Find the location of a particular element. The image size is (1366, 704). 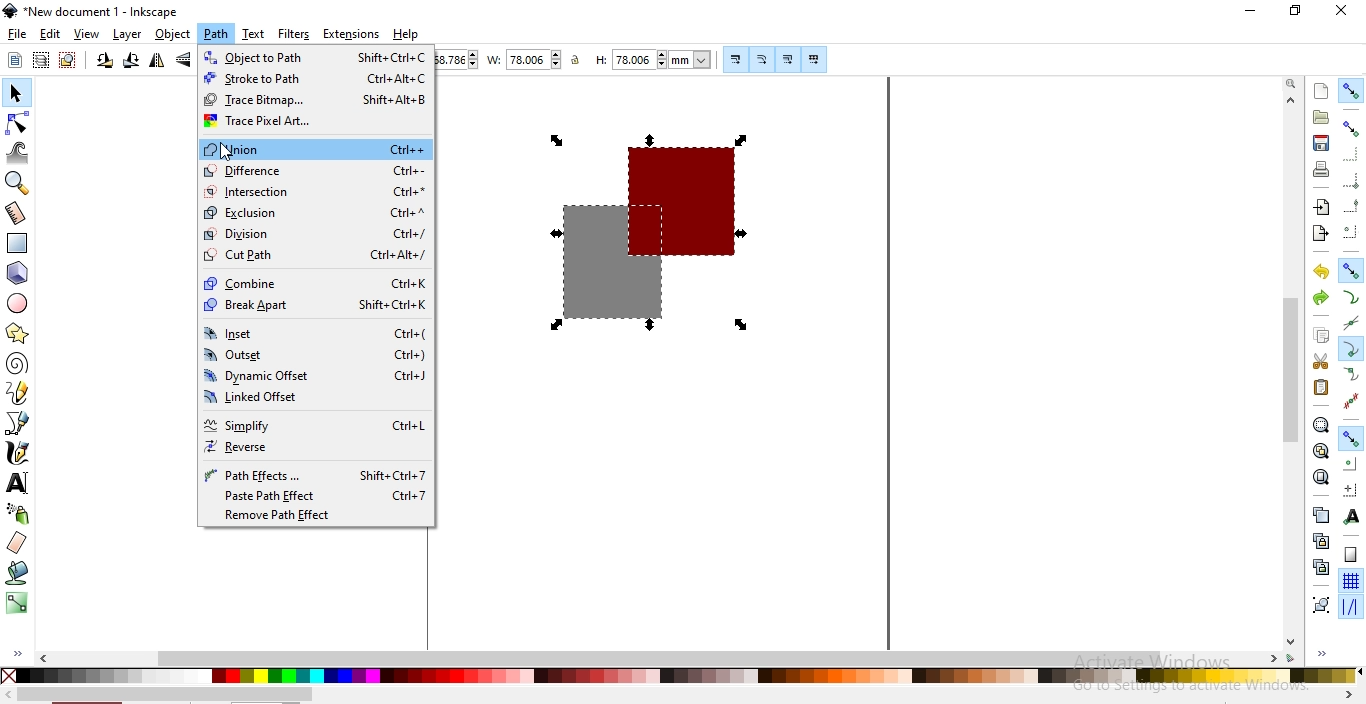

snap midpoints of line segments is located at coordinates (1350, 401).